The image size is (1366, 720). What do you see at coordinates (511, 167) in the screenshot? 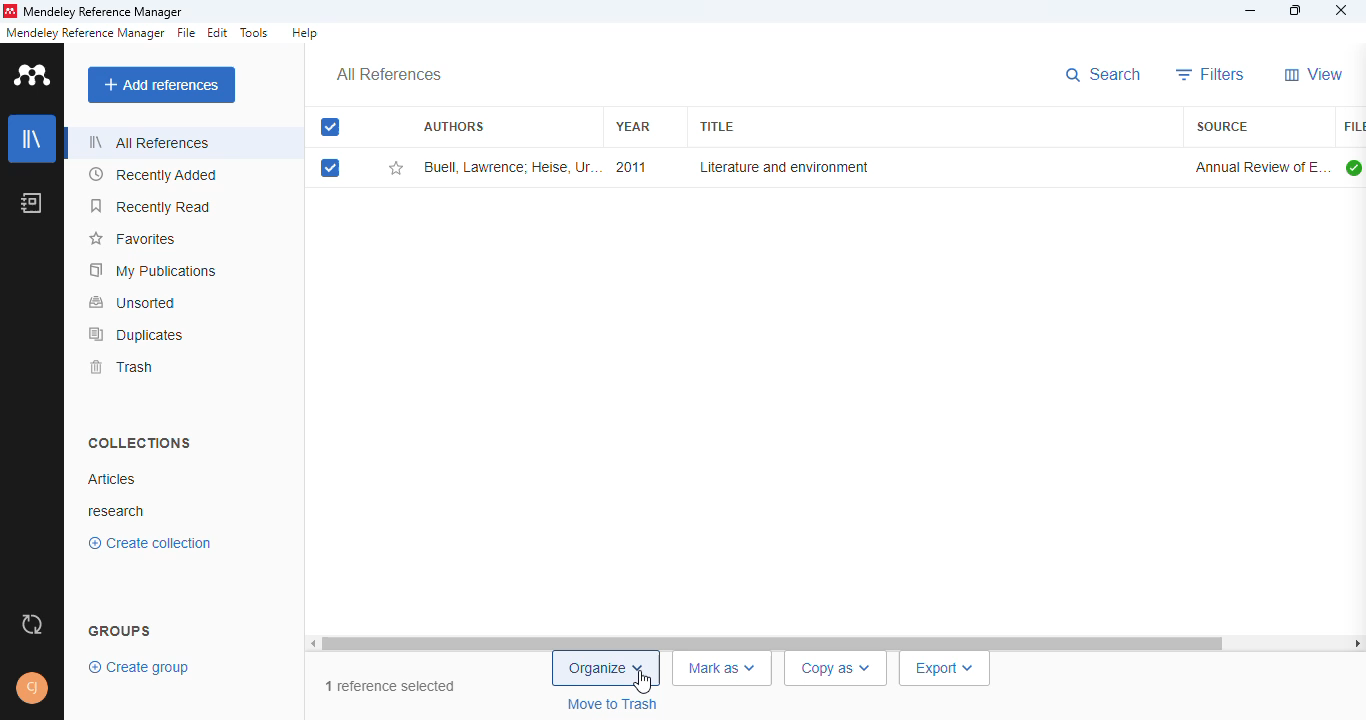
I see `Buell Lawrence; Heise U, ThornberK` at bounding box center [511, 167].